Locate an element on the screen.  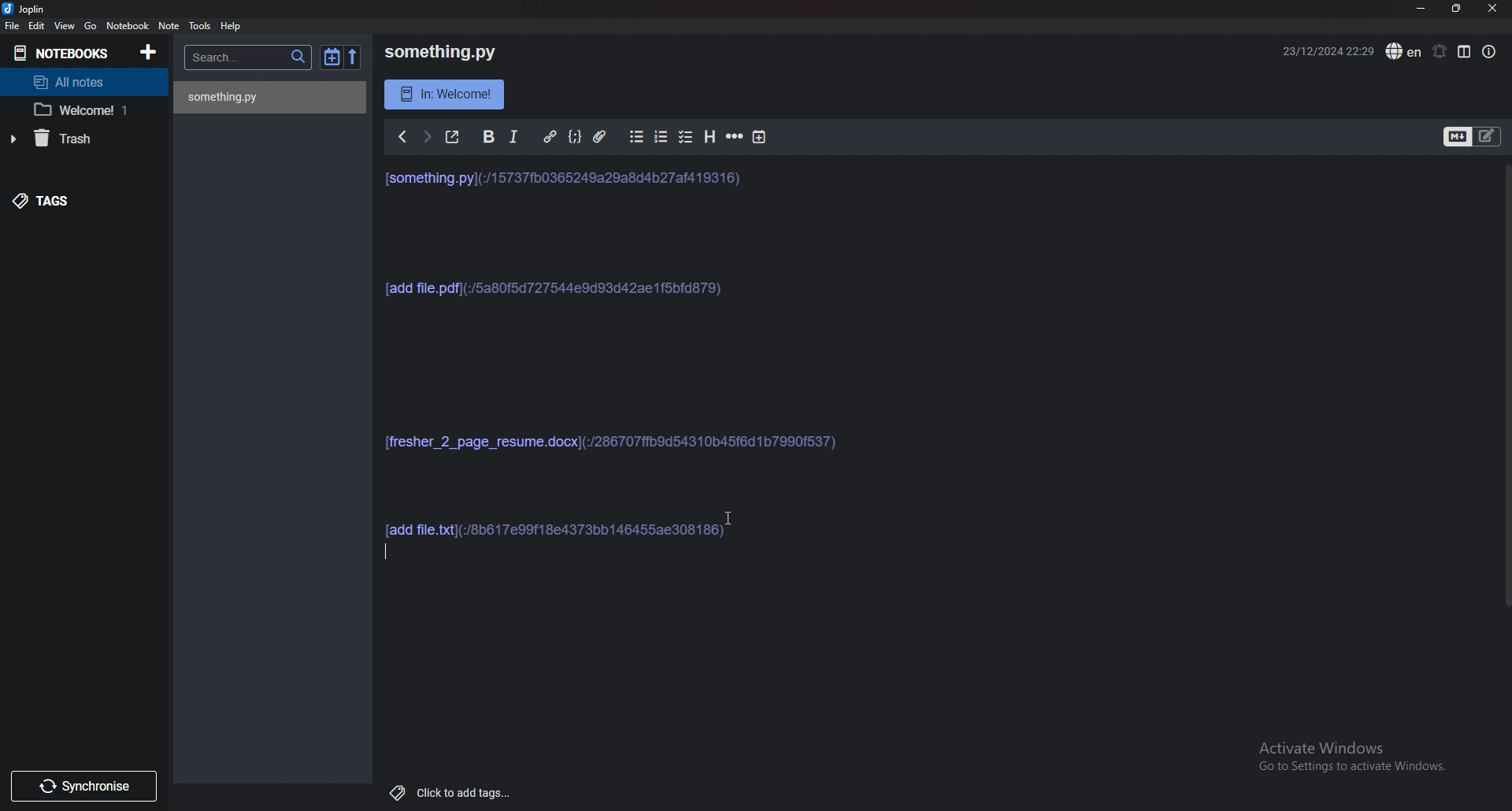
toggle external editor is located at coordinates (454, 136).